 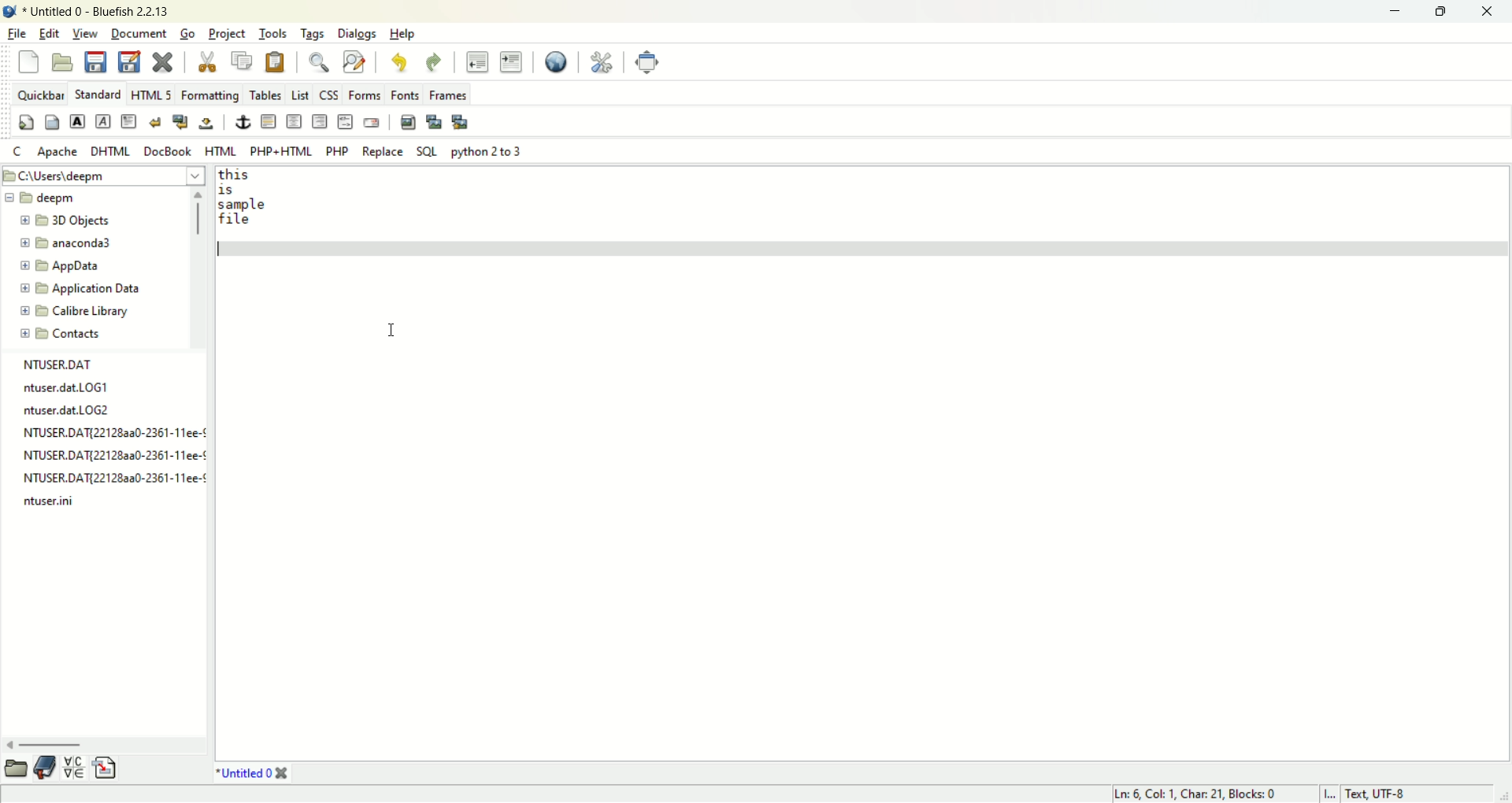 What do you see at coordinates (98, 746) in the screenshot?
I see `horizontal scroll bar` at bounding box center [98, 746].